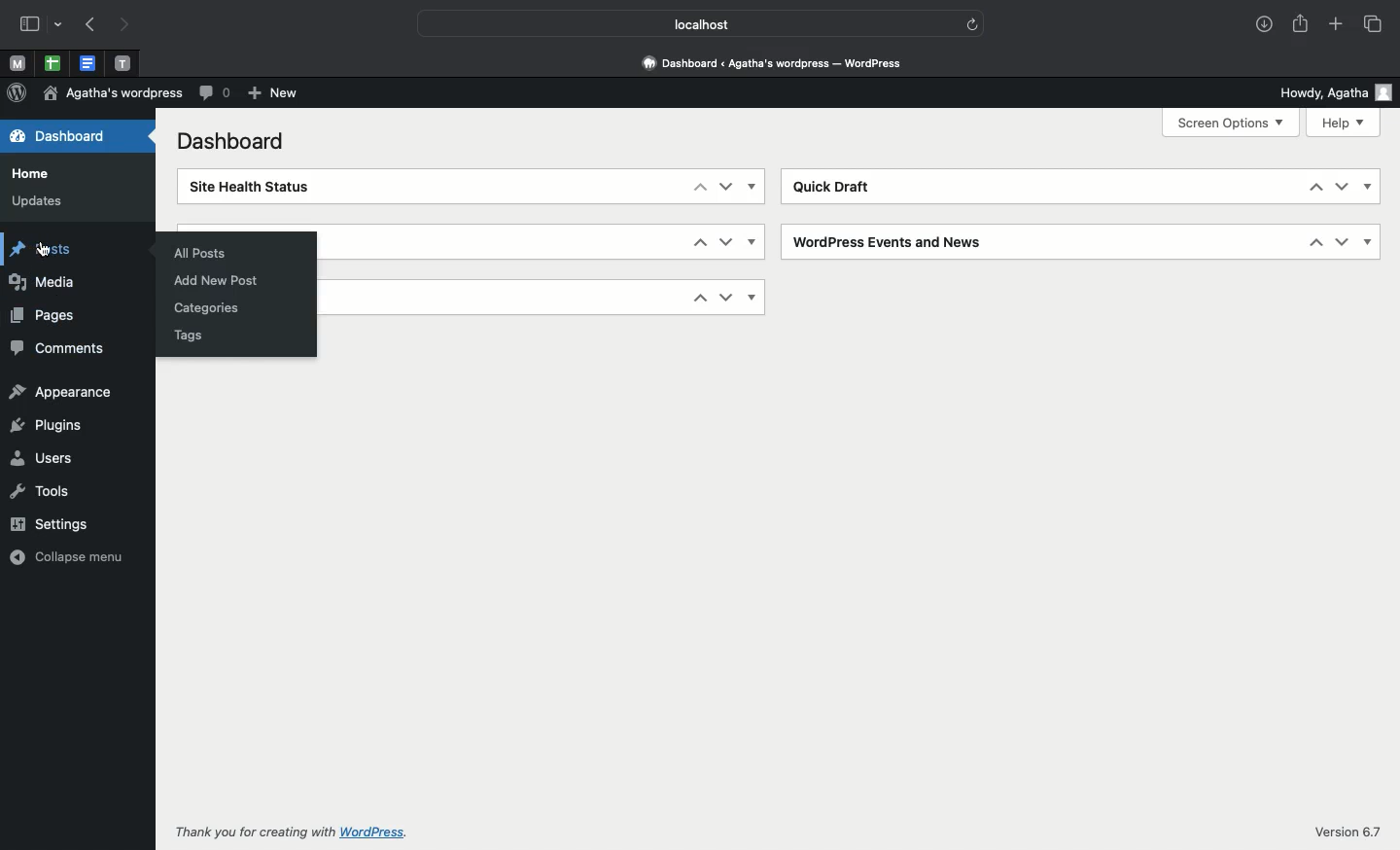  What do you see at coordinates (253, 187) in the screenshot?
I see `Site health status` at bounding box center [253, 187].